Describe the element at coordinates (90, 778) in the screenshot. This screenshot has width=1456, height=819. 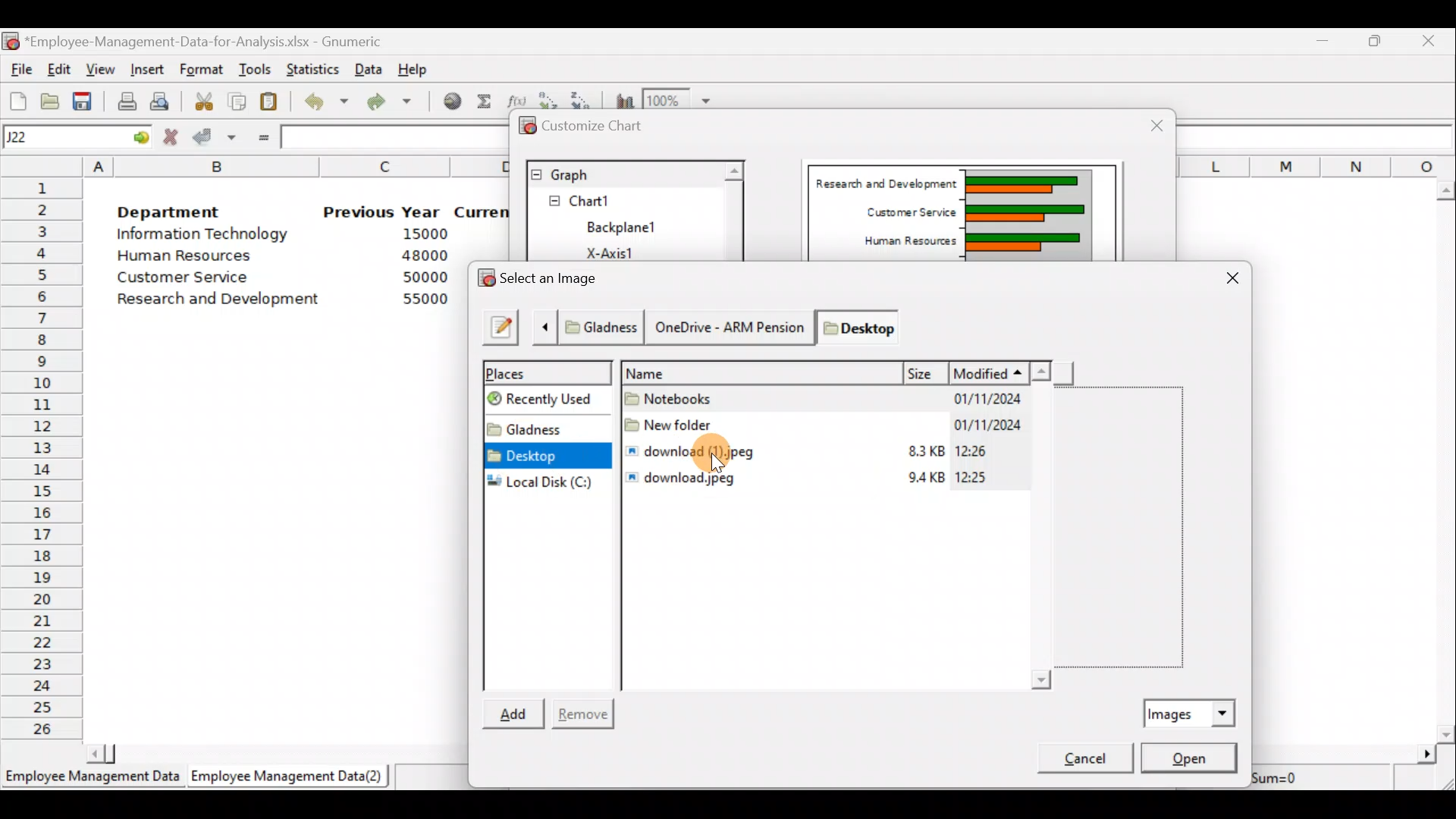
I see `Employee Management Data` at that location.